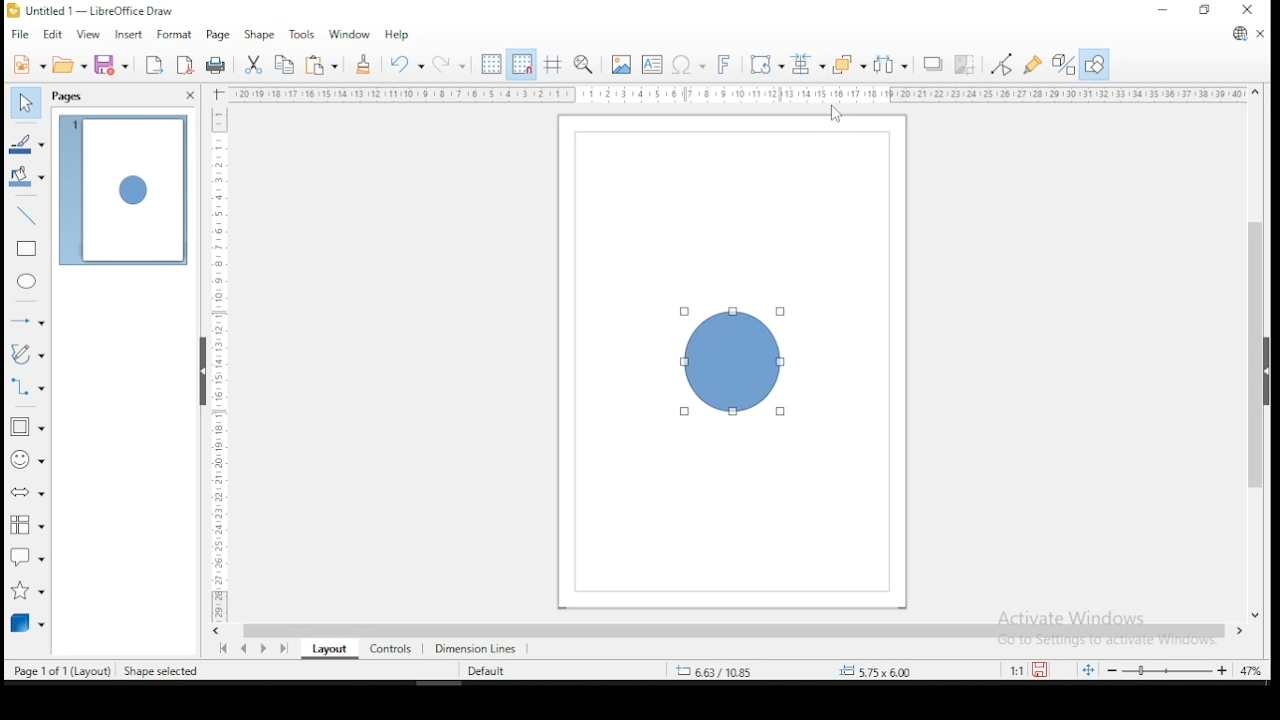 The width and height of the screenshot is (1280, 720). I want to click on next page, so click(268, 648).